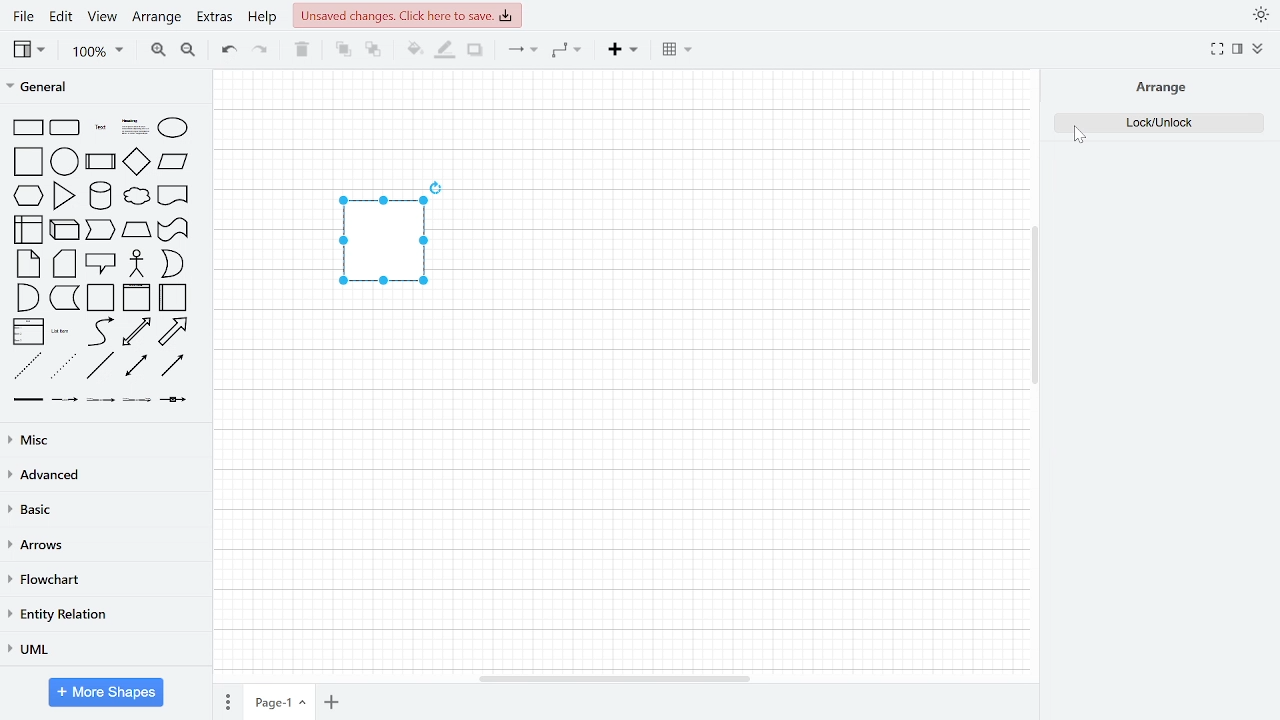 The height and width of the screenshot is (720, 1280). I want to click on vertical scrollbar, so click(1035, 307).